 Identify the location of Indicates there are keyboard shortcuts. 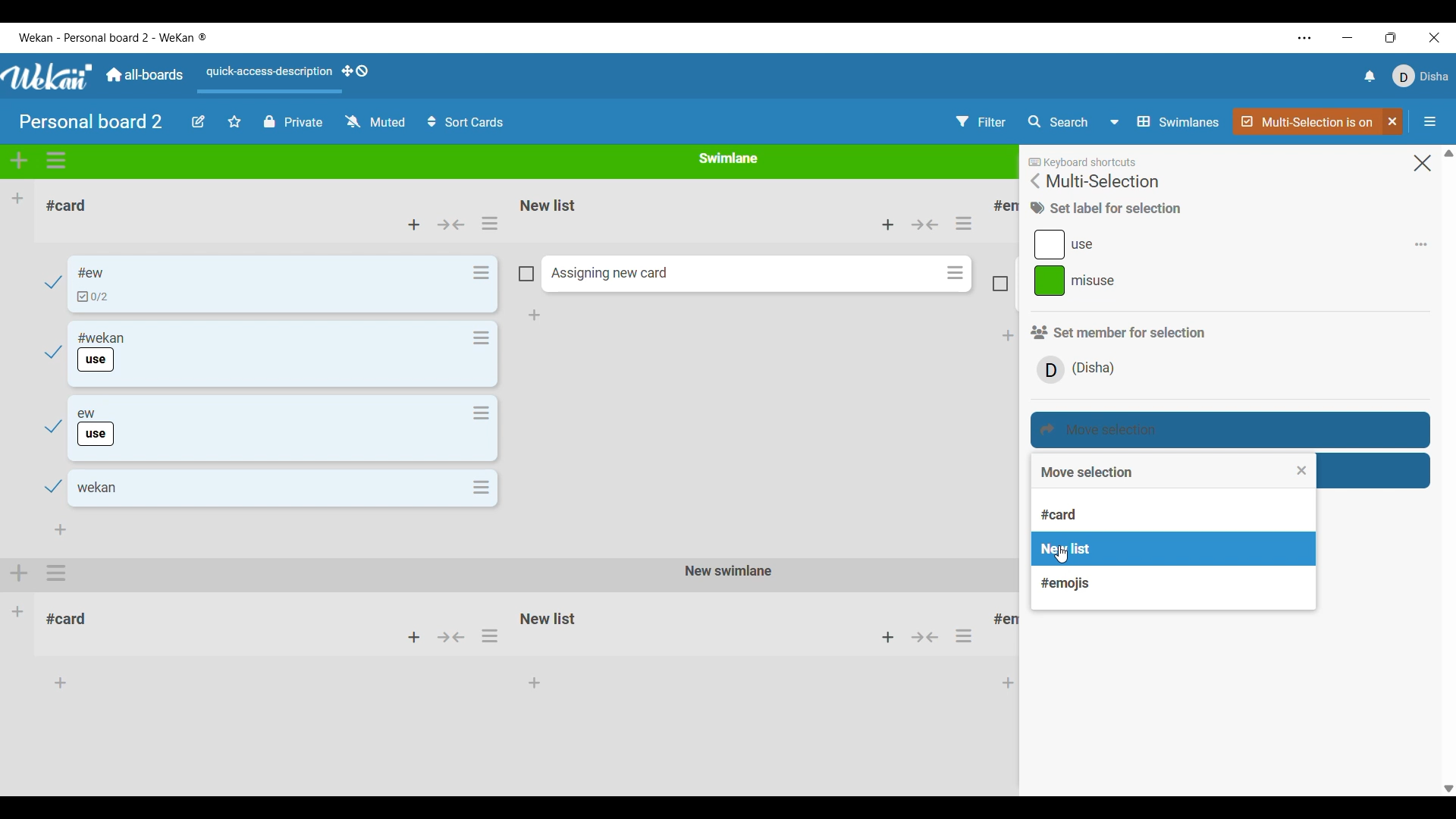
(1082, 162).